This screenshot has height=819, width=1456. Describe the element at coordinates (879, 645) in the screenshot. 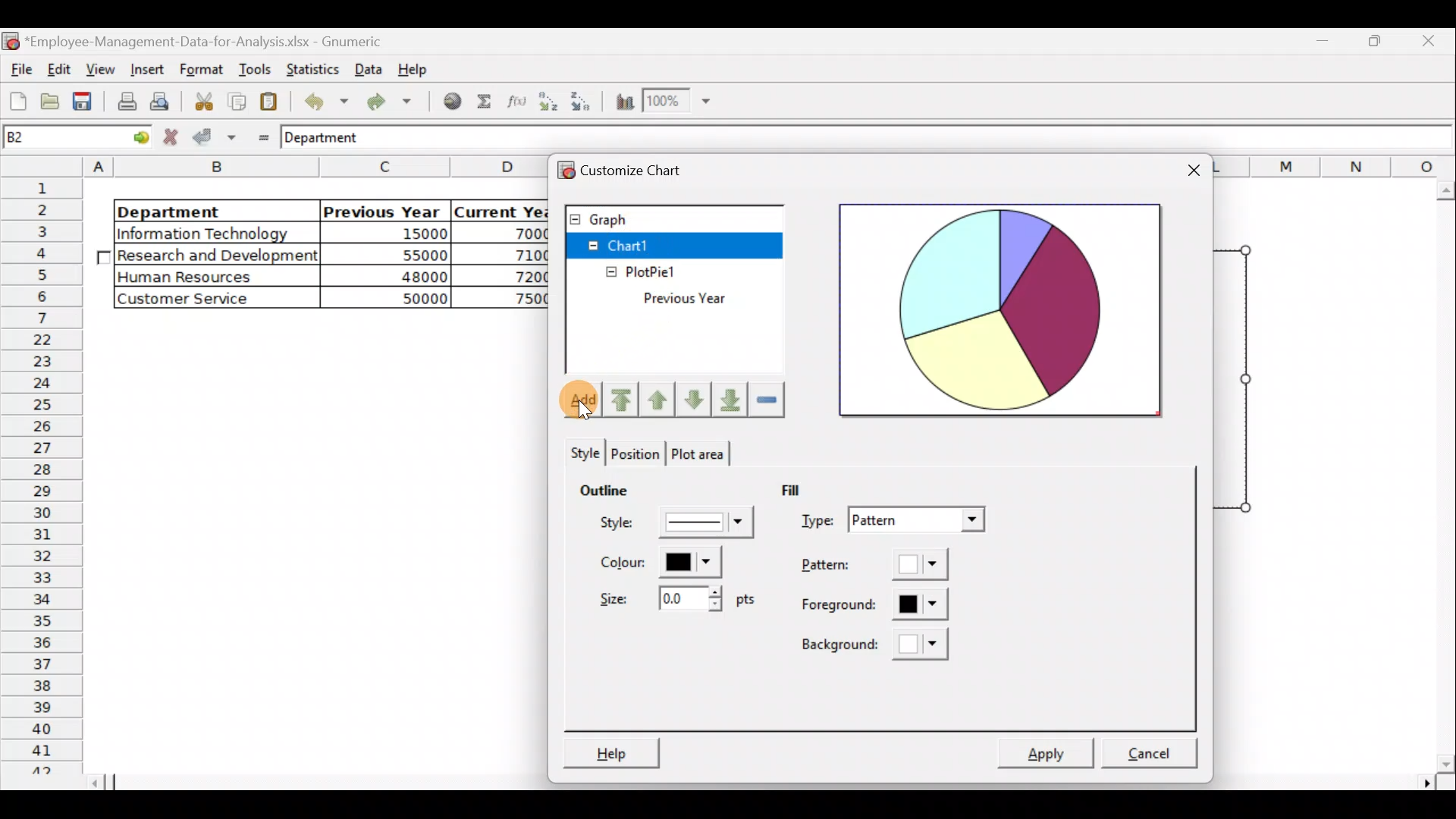

I see `Background` at that location.